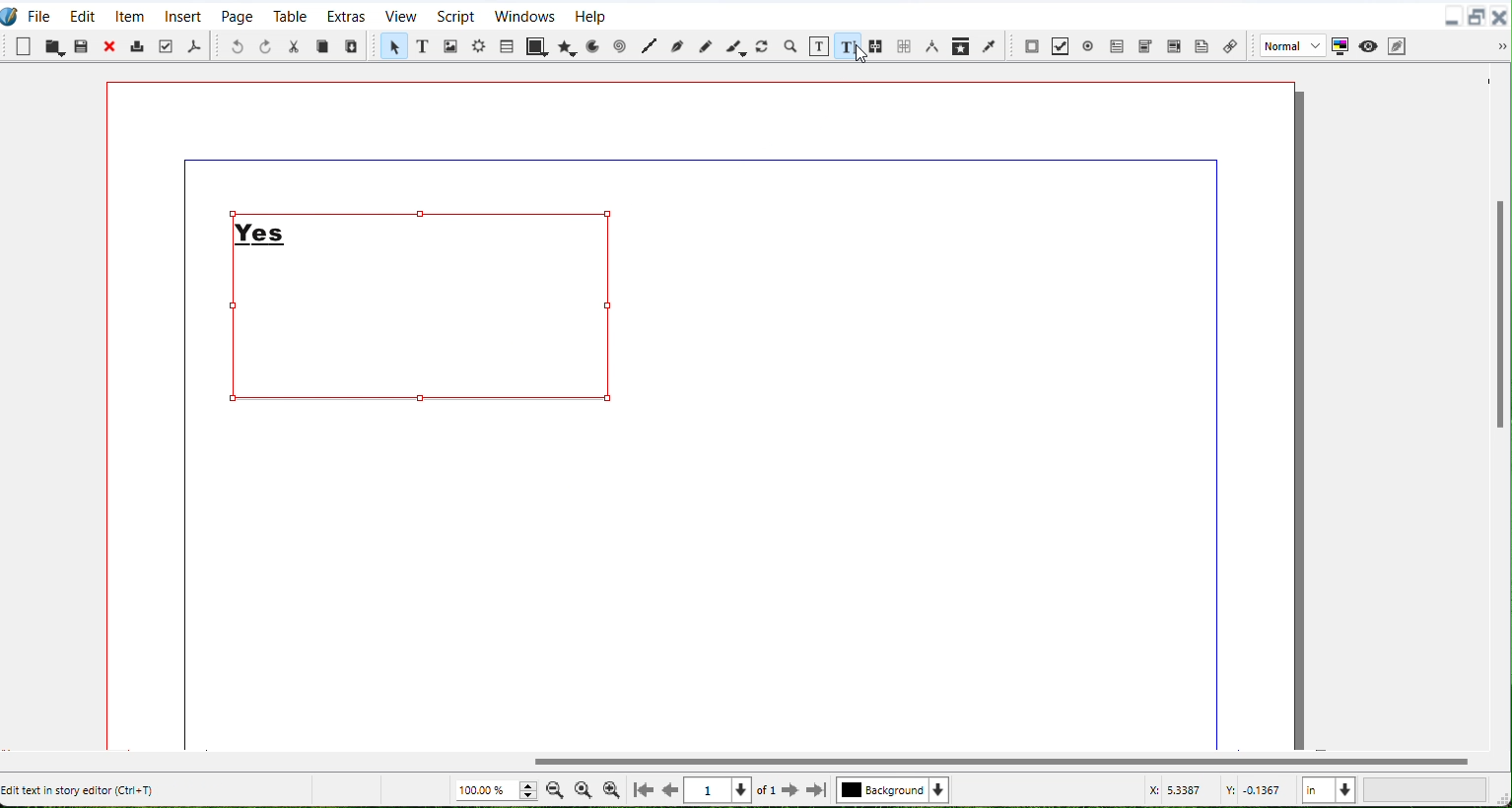 The height and width of the screenshot is (808, 1512). Describe the element at coordinates (896, 790) in the screenshot. I see `Select Current layer` at that location.